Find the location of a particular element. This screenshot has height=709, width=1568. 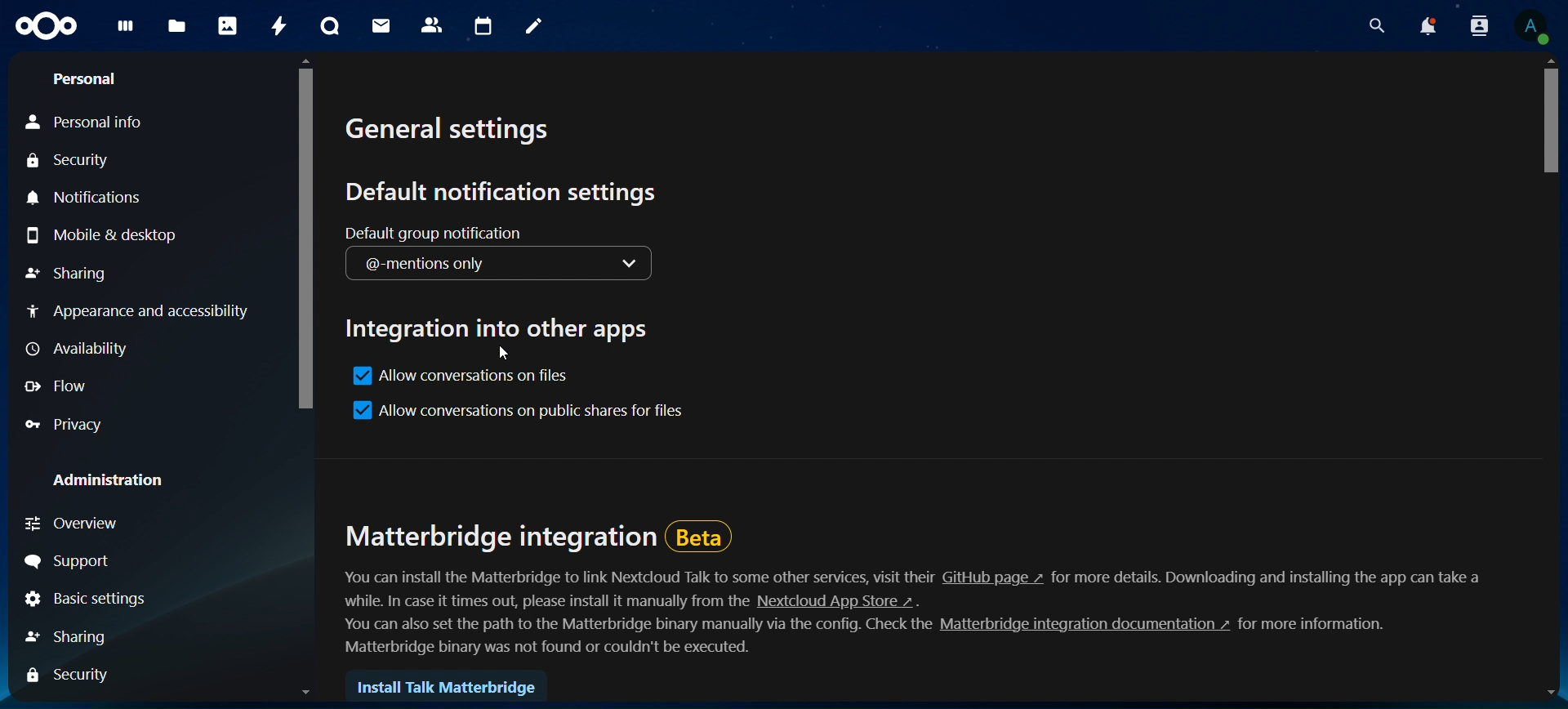

search is located at coordinates (1368, 25).